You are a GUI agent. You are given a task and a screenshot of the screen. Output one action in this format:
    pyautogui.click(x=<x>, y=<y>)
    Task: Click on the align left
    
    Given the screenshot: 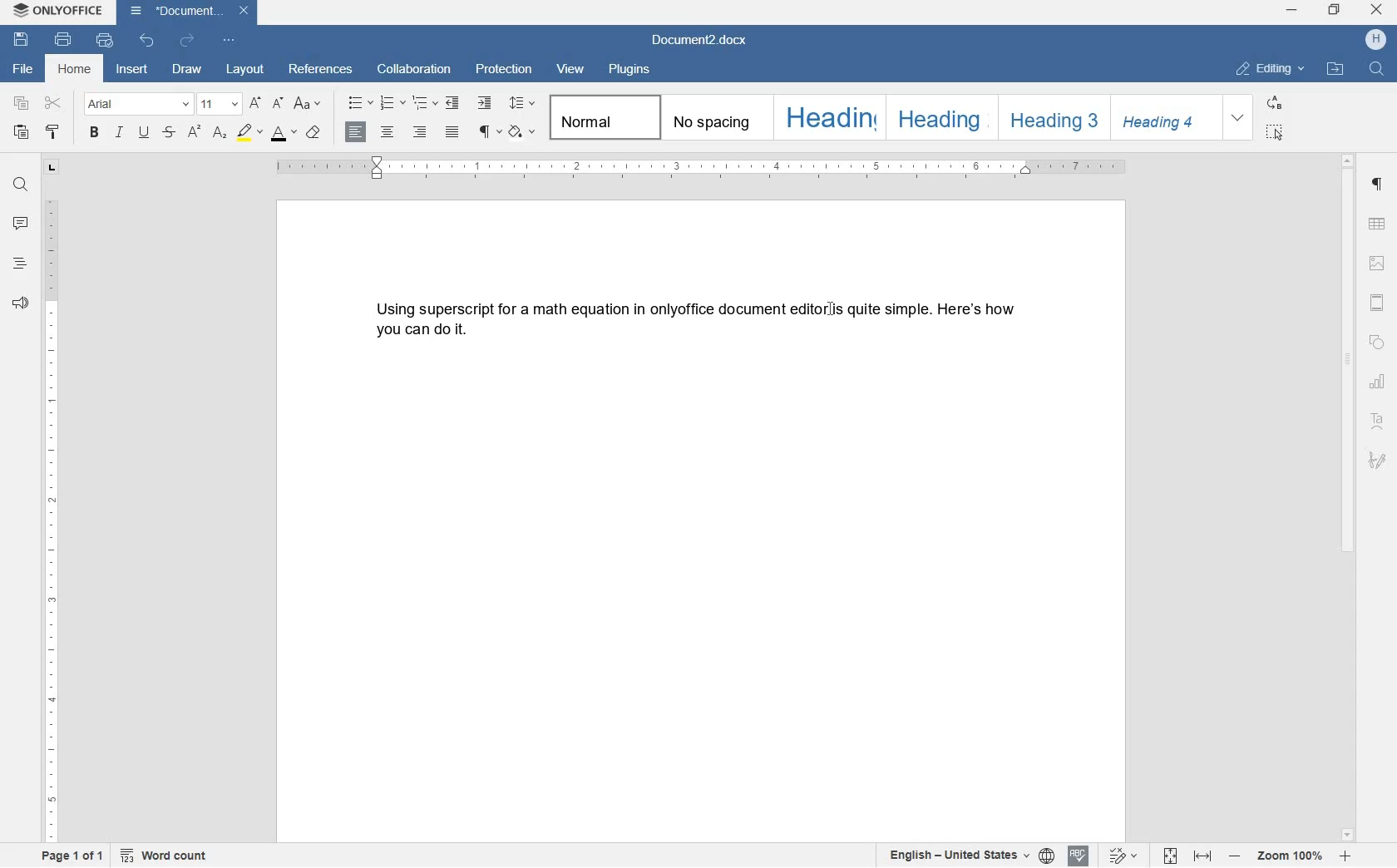 What is the action you would take?
    pyautogui.click(x=357, y=133)
    